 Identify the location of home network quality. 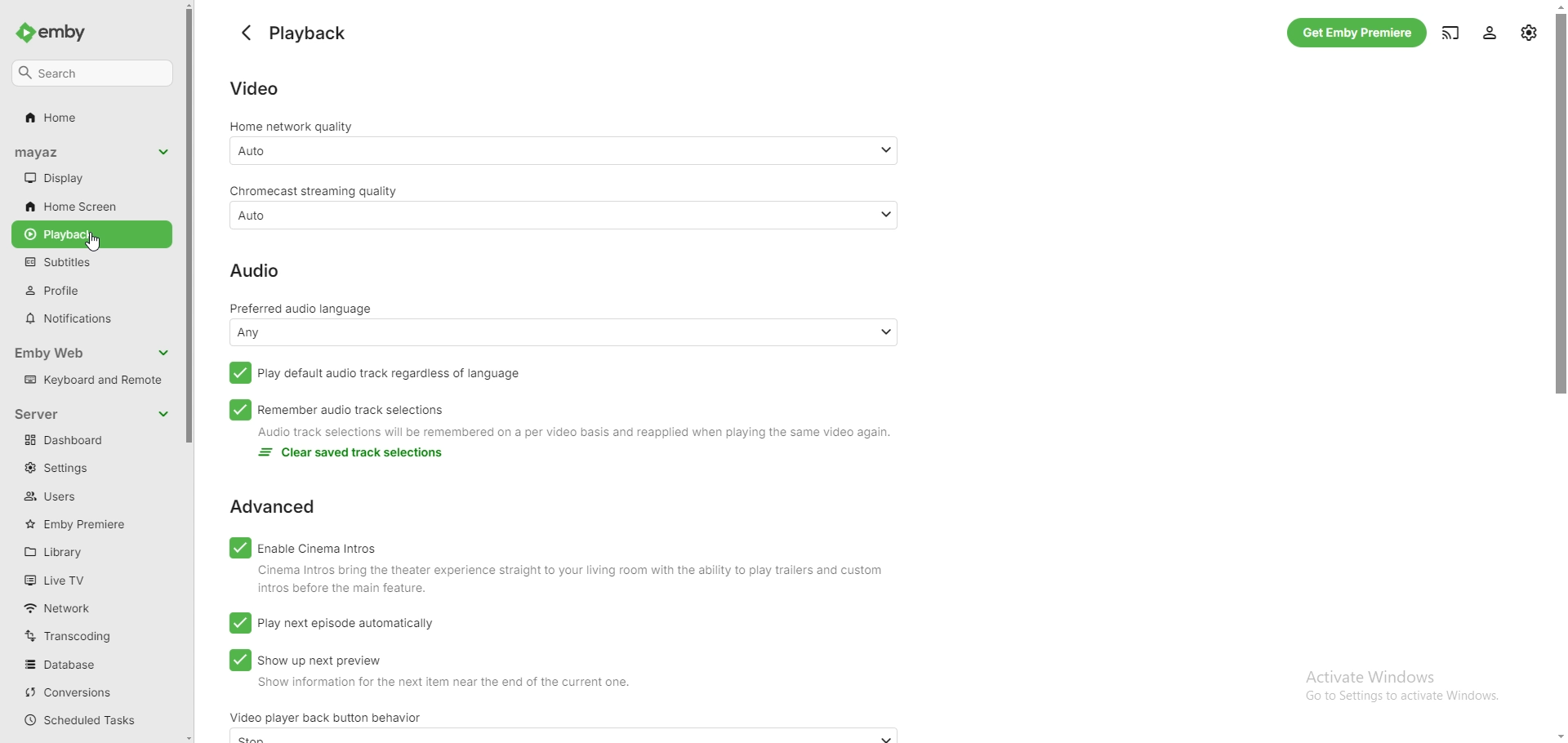
(293, 127).